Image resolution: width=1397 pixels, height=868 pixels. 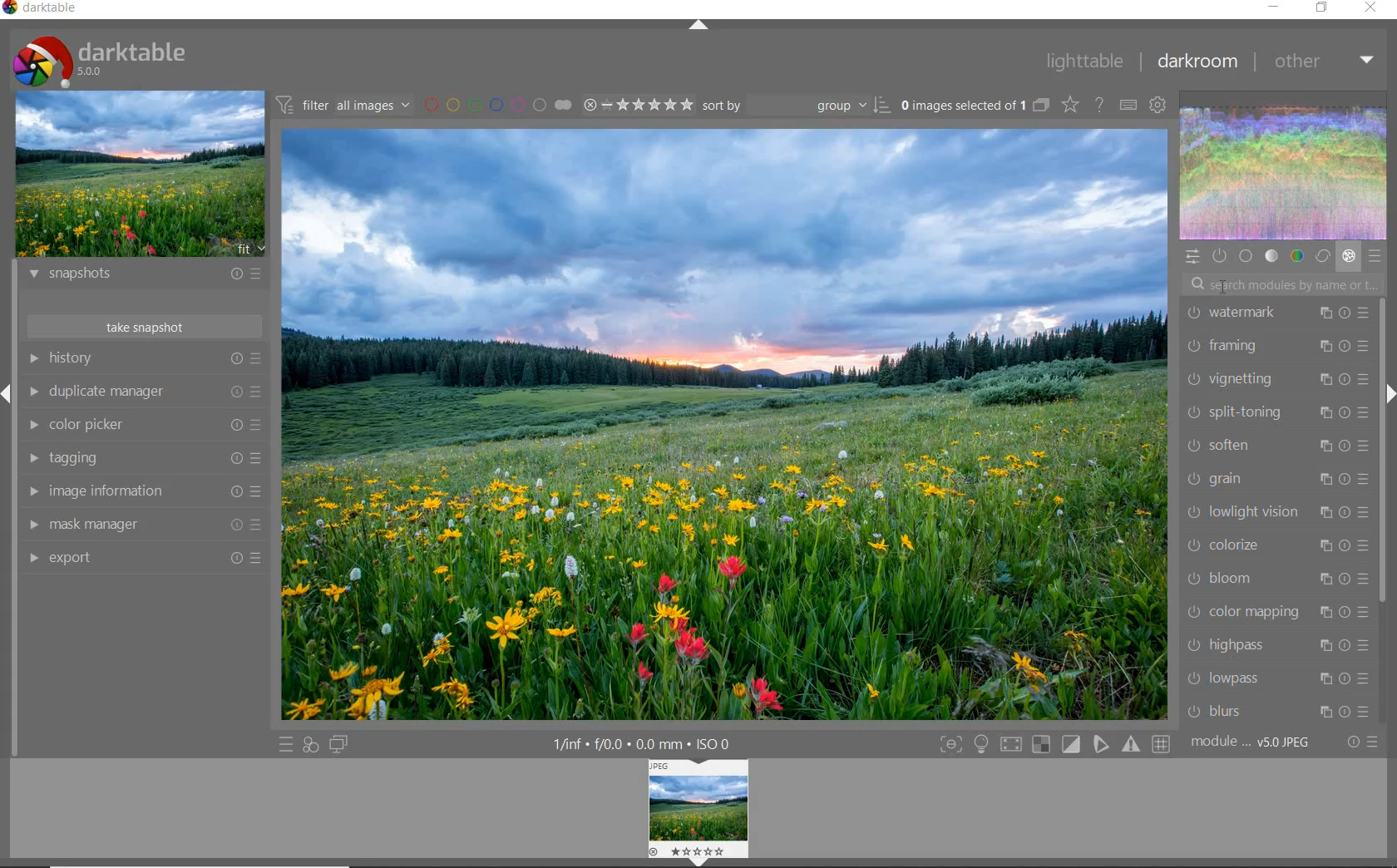 I want to click on image preview, so click(x=141, y=175).